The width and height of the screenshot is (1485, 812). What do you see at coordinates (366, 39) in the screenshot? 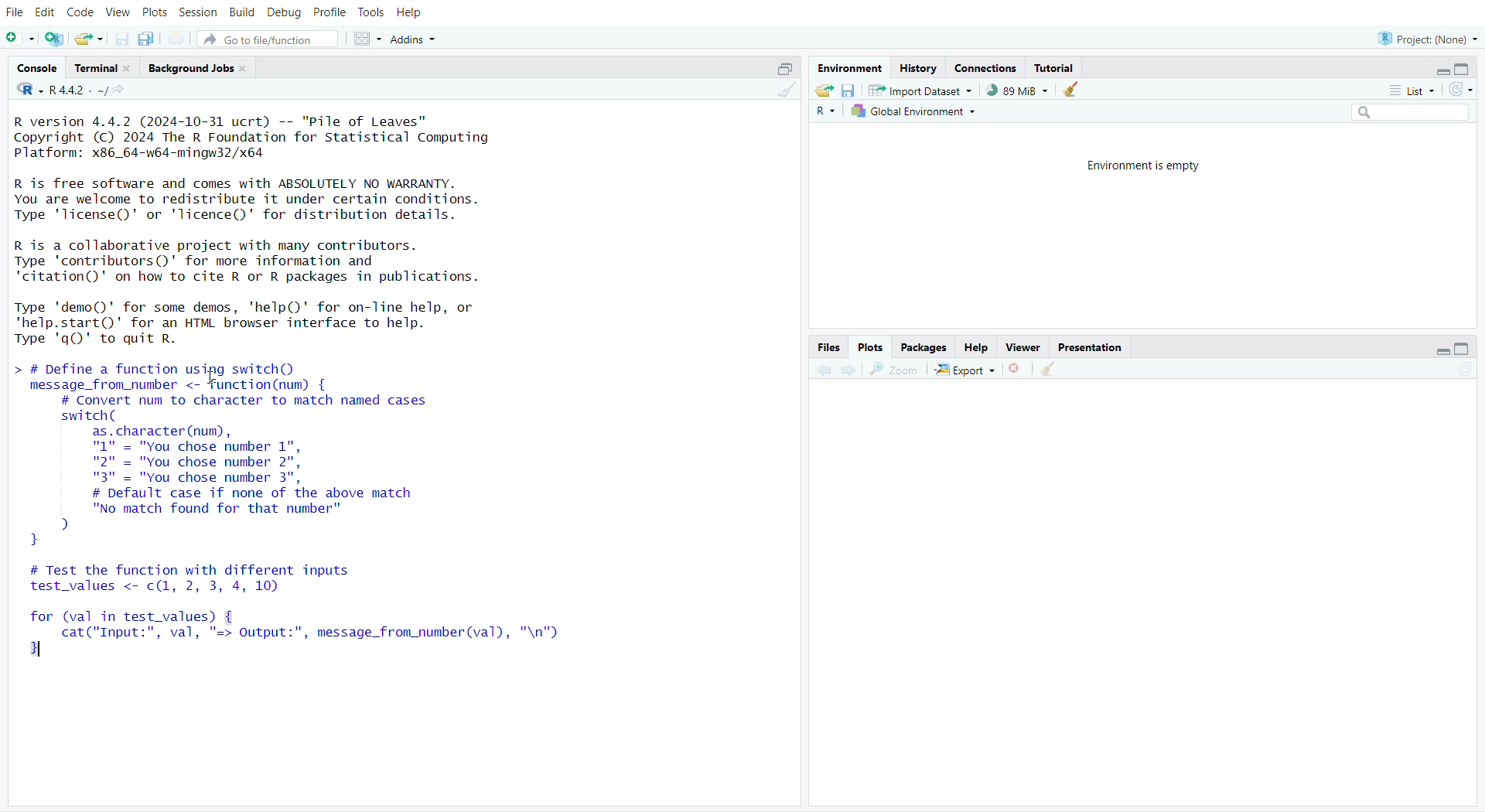
I see `Workspace panes` at bounding box center [366, 39].